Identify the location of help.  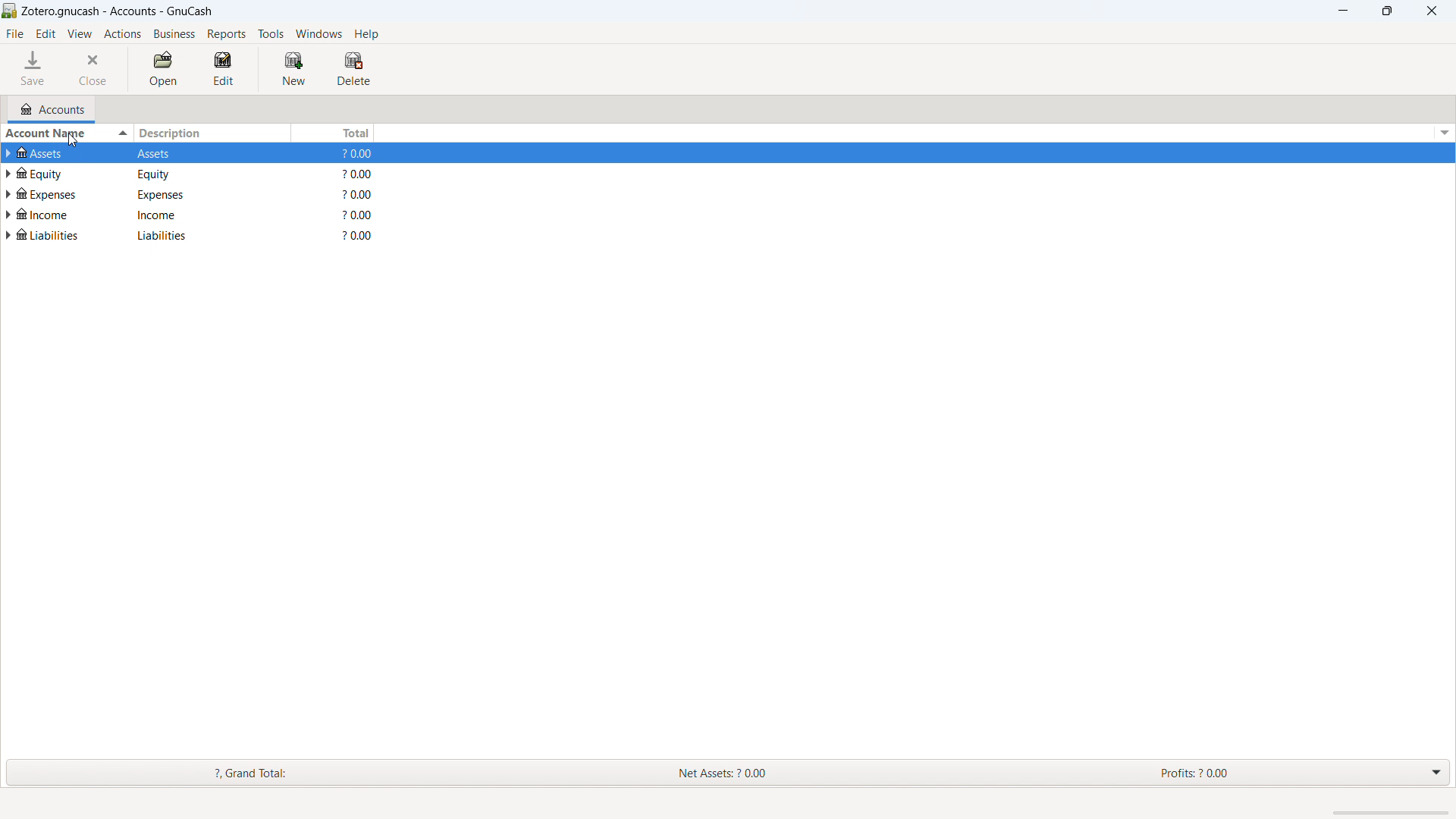
(367, 34).